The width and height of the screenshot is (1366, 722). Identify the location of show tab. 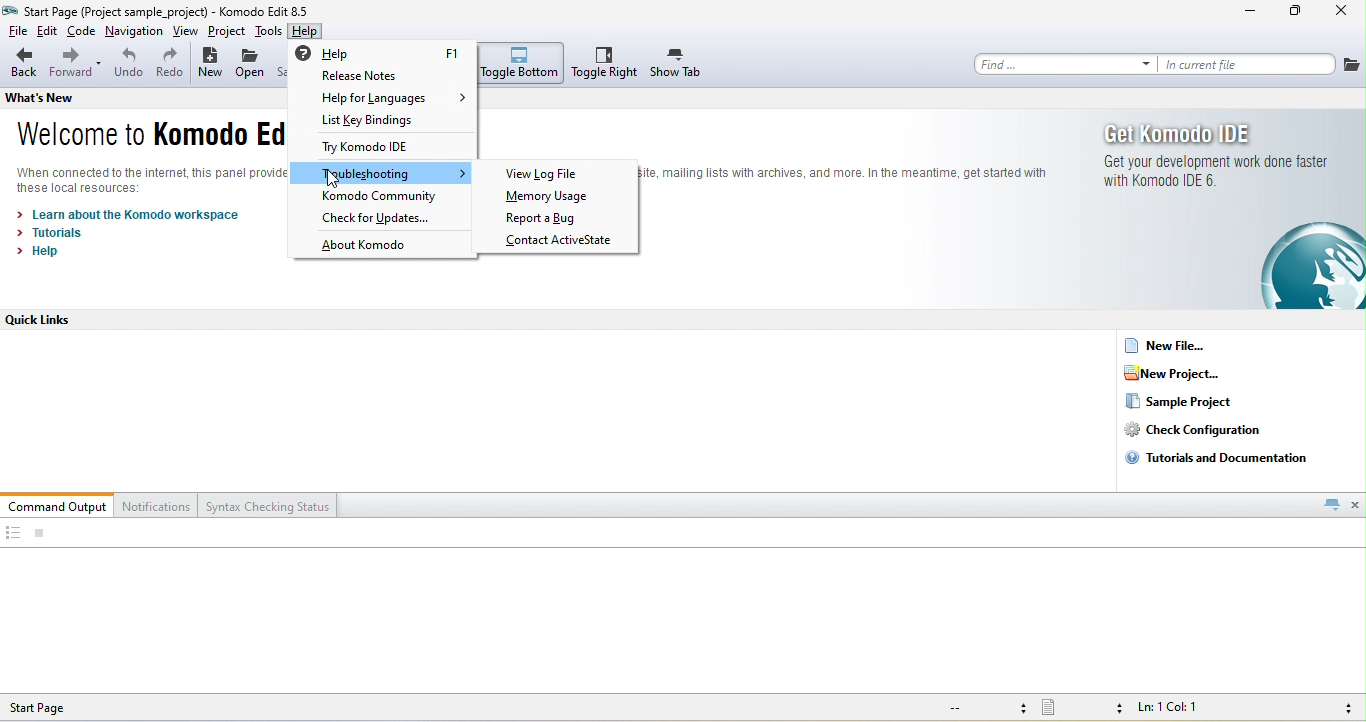
(677, 64).